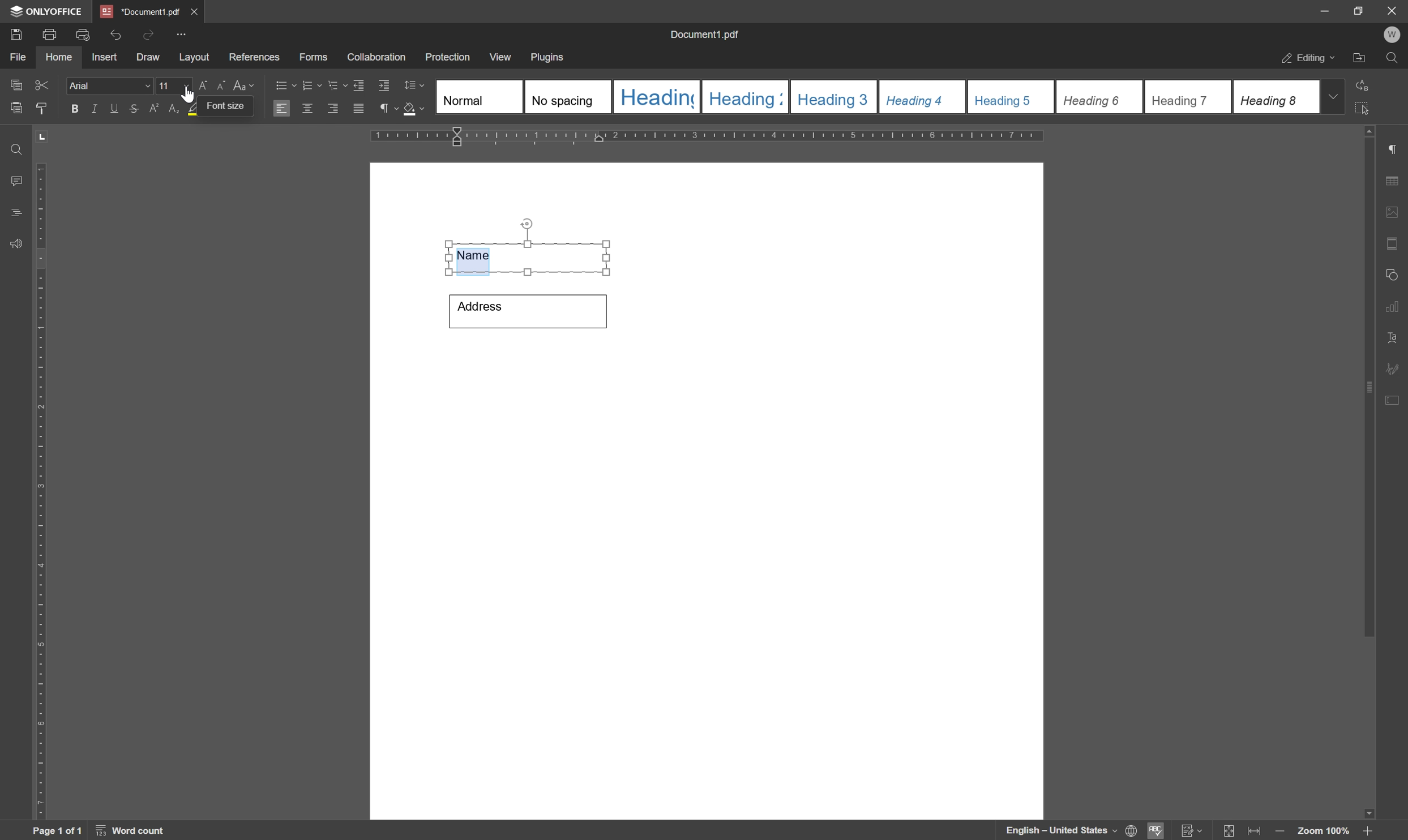 The image size is (1408, 840). I want to click on editing, so click(1307, 59).